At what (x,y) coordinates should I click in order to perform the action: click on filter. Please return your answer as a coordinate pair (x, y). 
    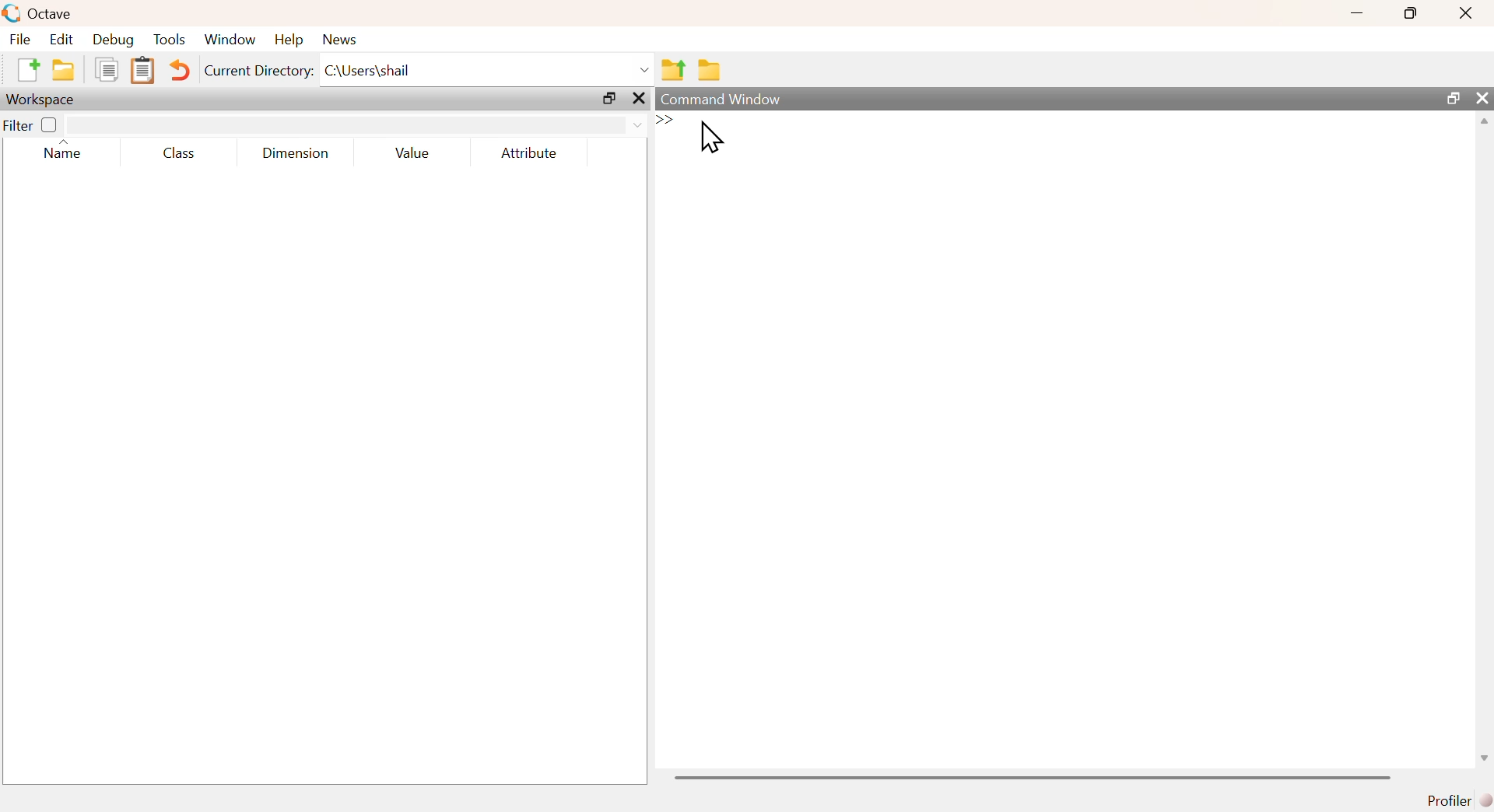
    Looking at the image, I should click on (17, 126).